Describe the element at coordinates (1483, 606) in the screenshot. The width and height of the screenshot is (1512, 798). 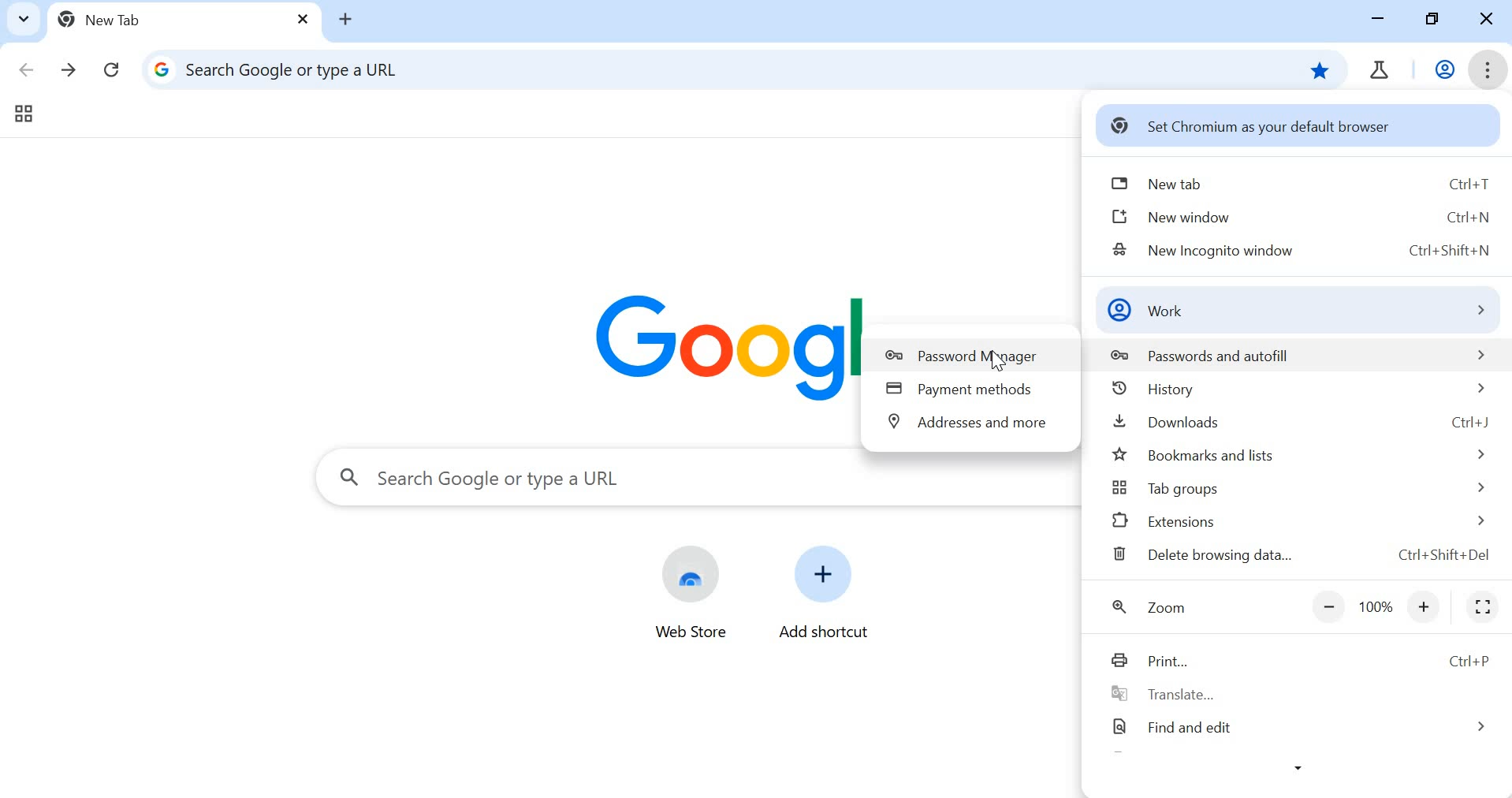
I see `full screen` at that location.